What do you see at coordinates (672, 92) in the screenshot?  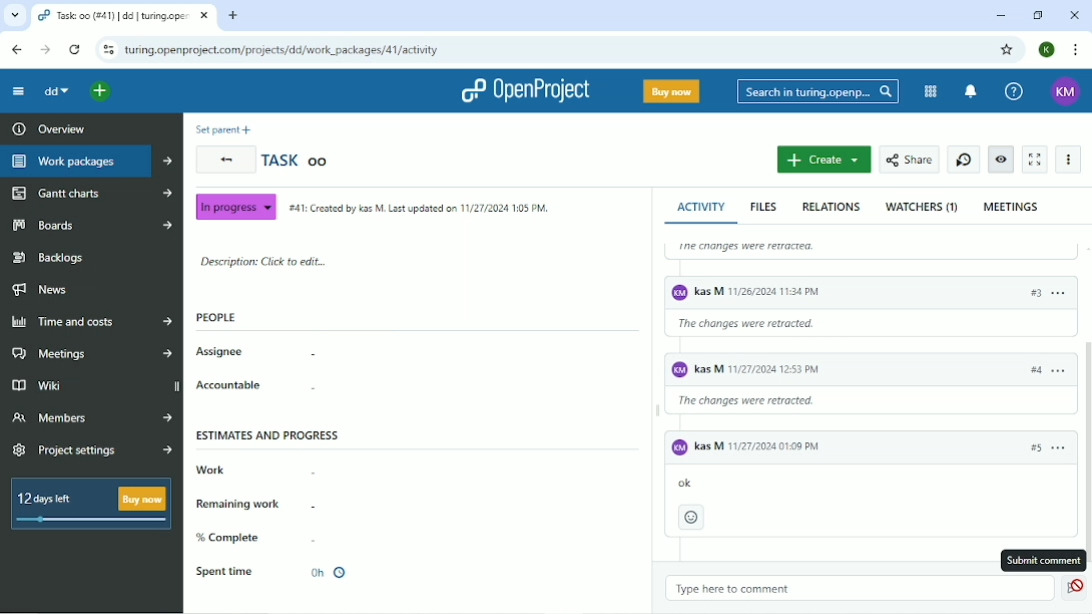 I see `Buy now` at bounding box center [672, 92].